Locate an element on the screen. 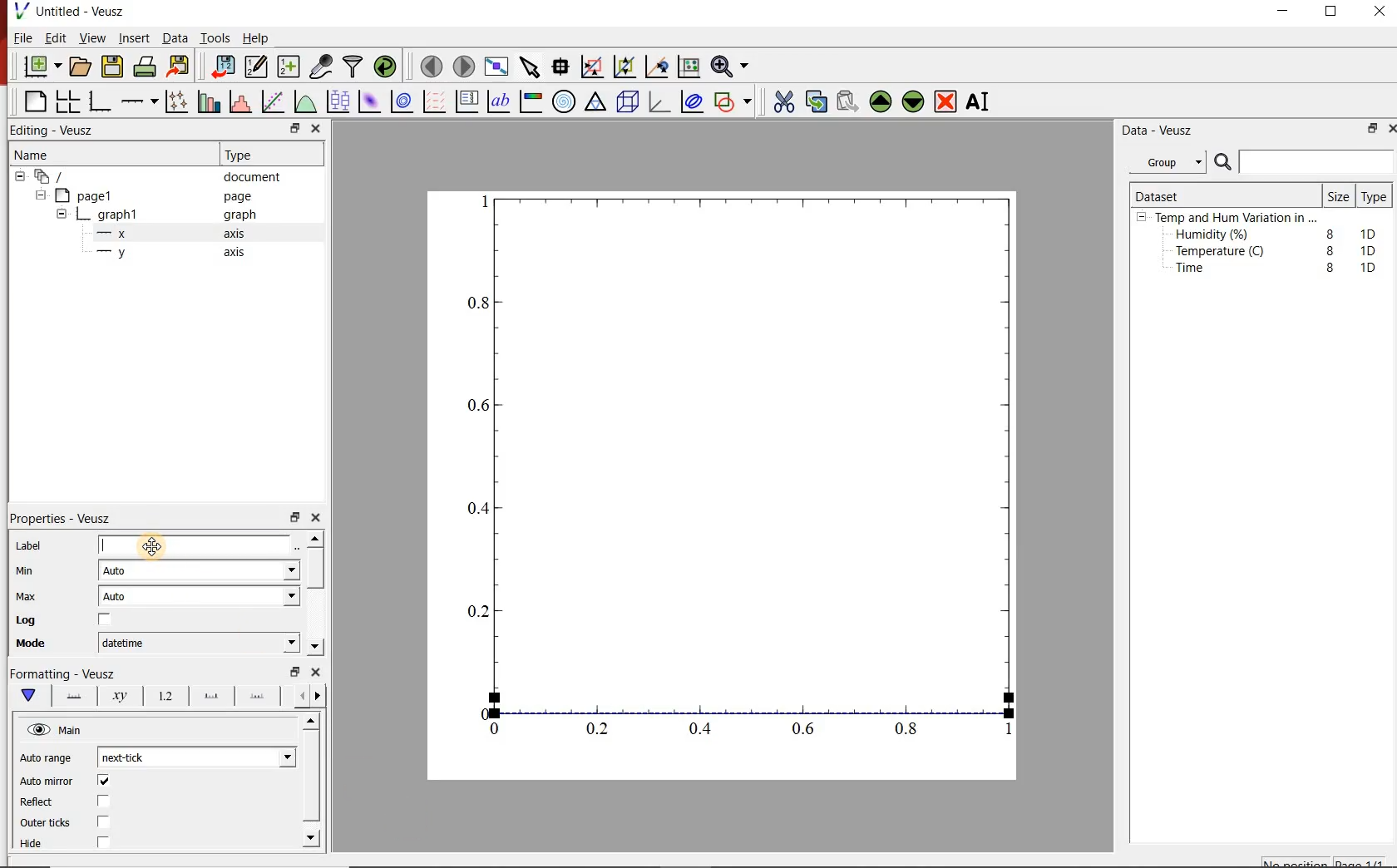 Image resolution: width=1397 pixels, height=868 pixels. 3d graph is located at coordinates (662, 104).